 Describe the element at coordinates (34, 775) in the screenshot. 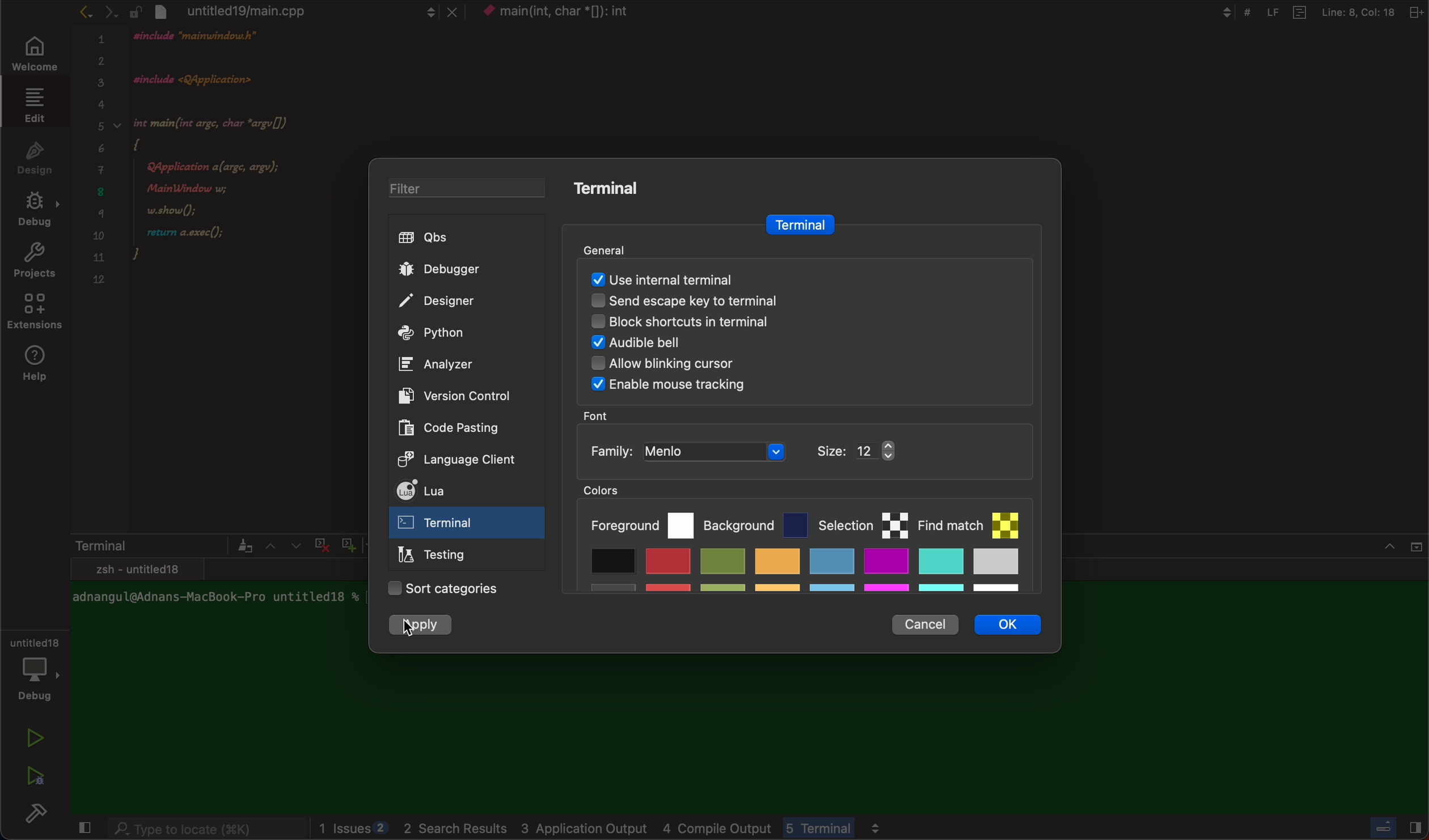

I see `run and debug` at that location.